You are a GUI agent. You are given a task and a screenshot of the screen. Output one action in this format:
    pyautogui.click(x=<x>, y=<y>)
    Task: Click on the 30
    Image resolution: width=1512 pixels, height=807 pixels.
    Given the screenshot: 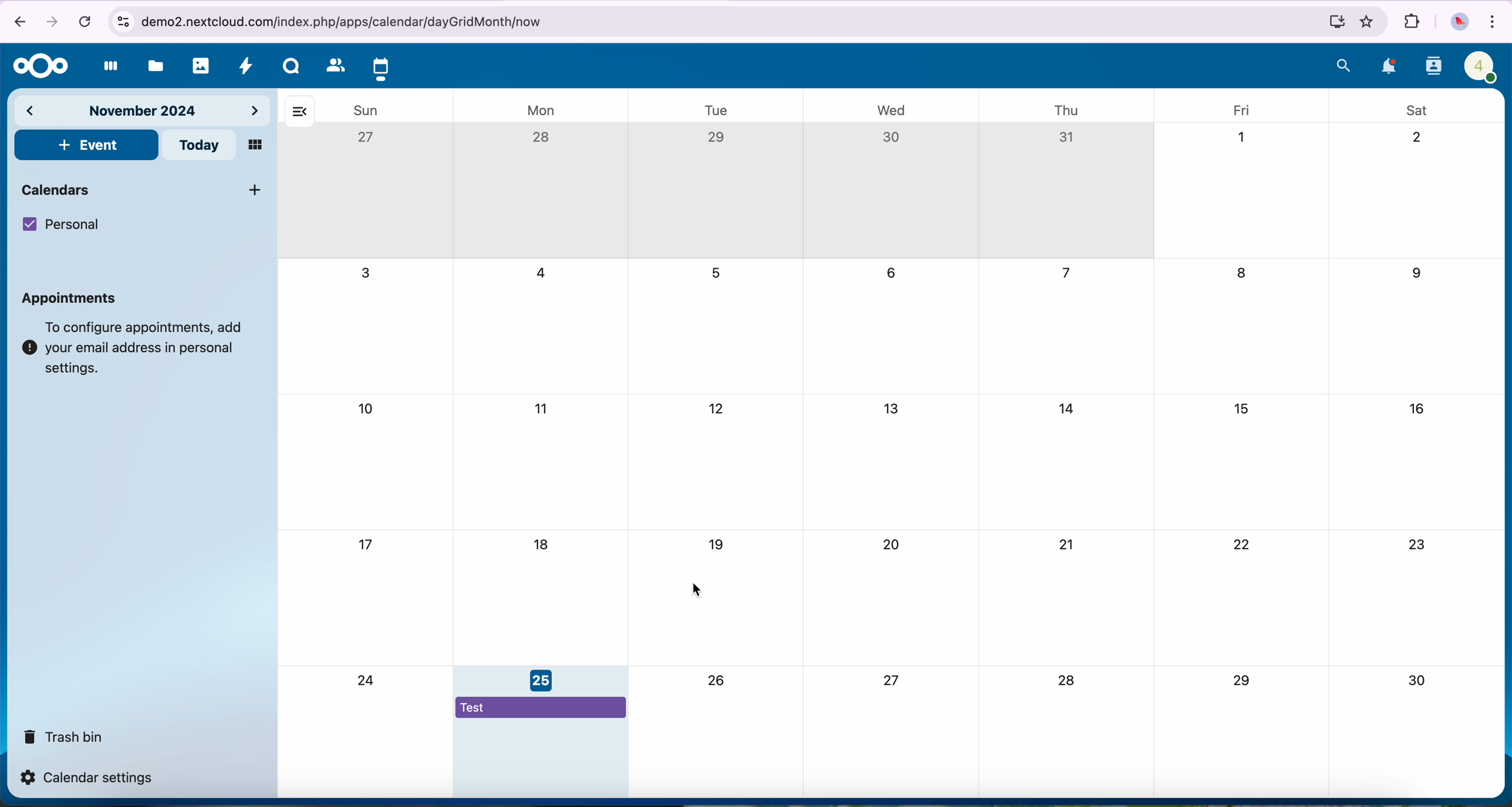 What is the action you would take?
    pyautogui.click(x=1416, y=681)
    